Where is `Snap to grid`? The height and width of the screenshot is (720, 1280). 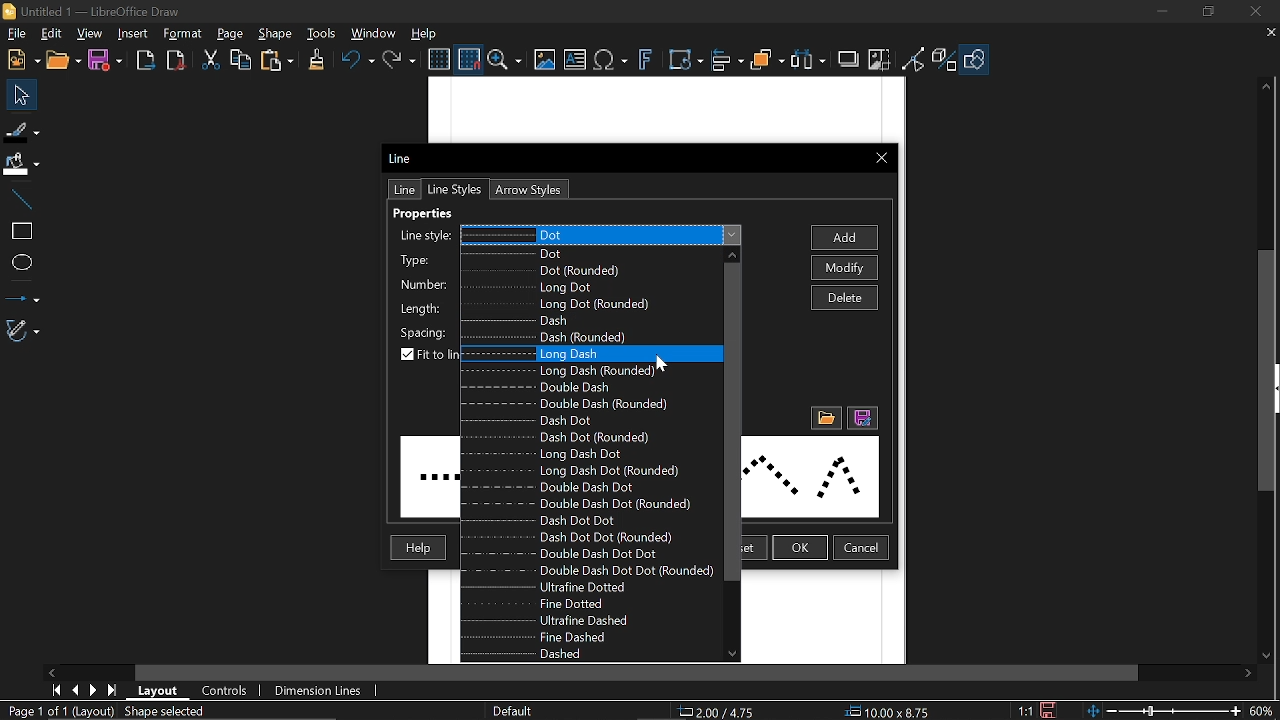
Snap to grid is located at coordinates (467, 58).